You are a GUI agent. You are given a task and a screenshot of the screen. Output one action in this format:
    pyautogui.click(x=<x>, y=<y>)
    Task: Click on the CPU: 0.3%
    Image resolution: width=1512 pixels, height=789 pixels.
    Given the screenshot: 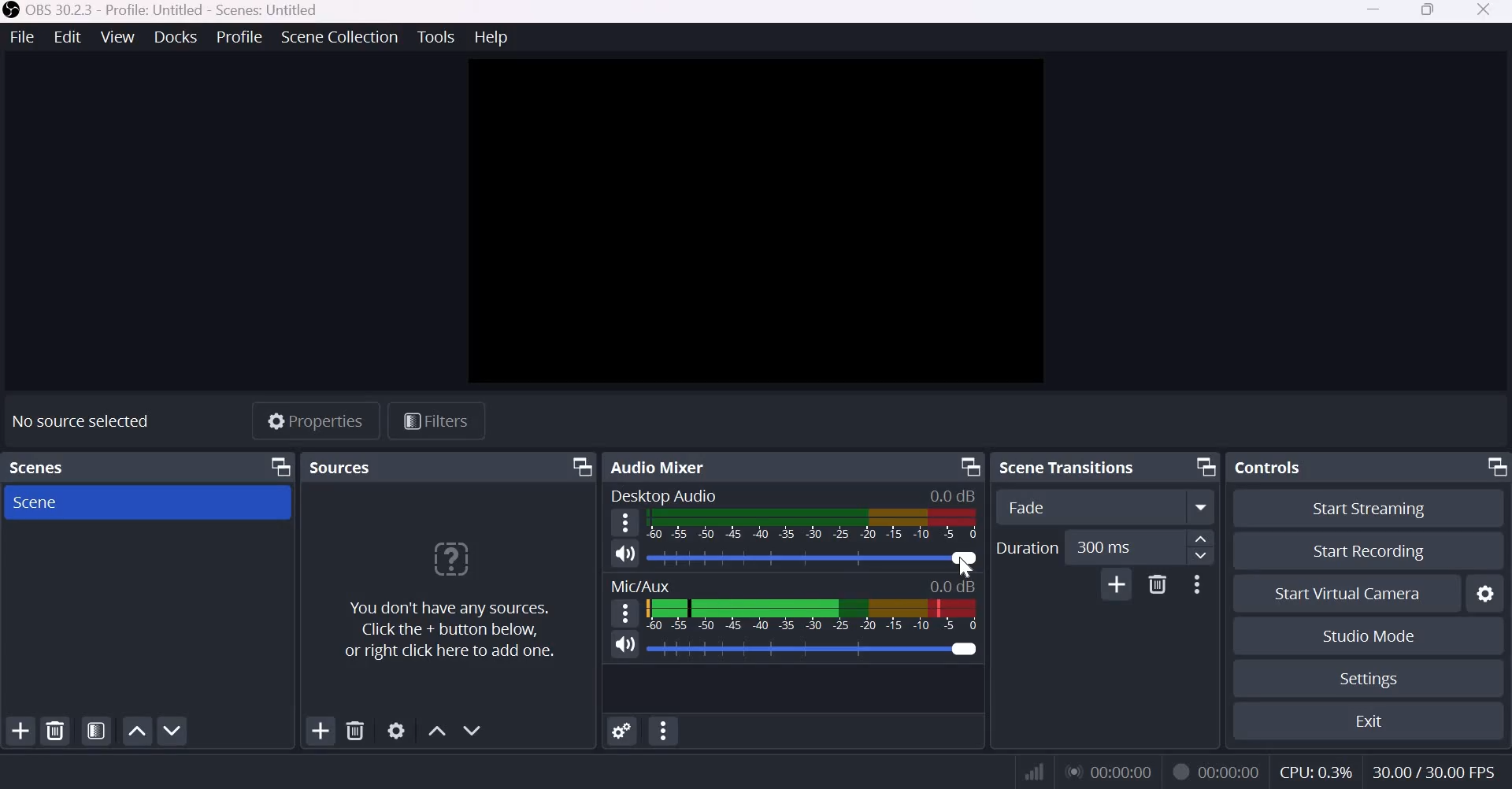 What is the action you would take?
    pyautogui.click(x=1316, y=771)
    